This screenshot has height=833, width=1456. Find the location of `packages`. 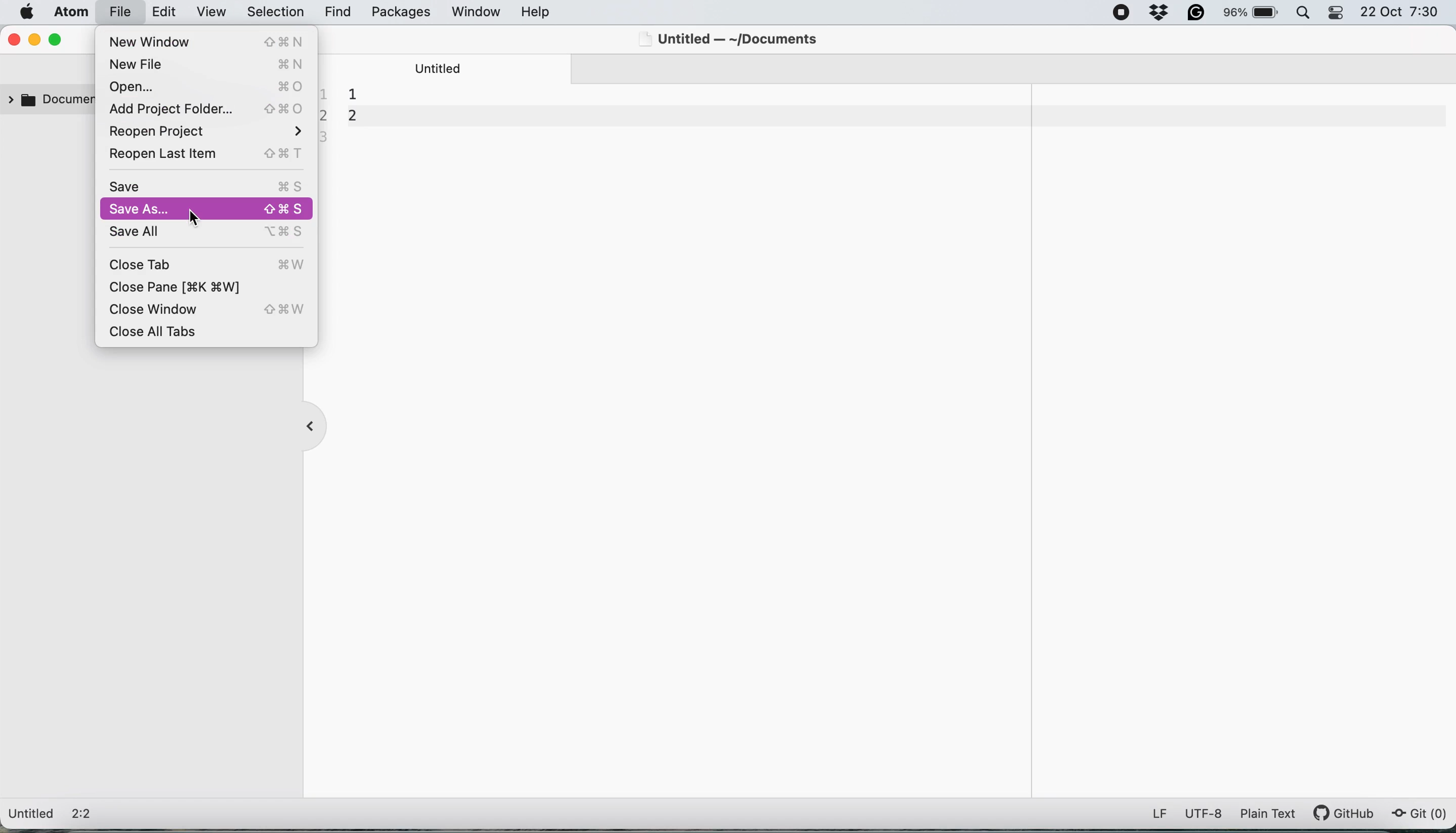

packages is located at coordinates (401, 13).